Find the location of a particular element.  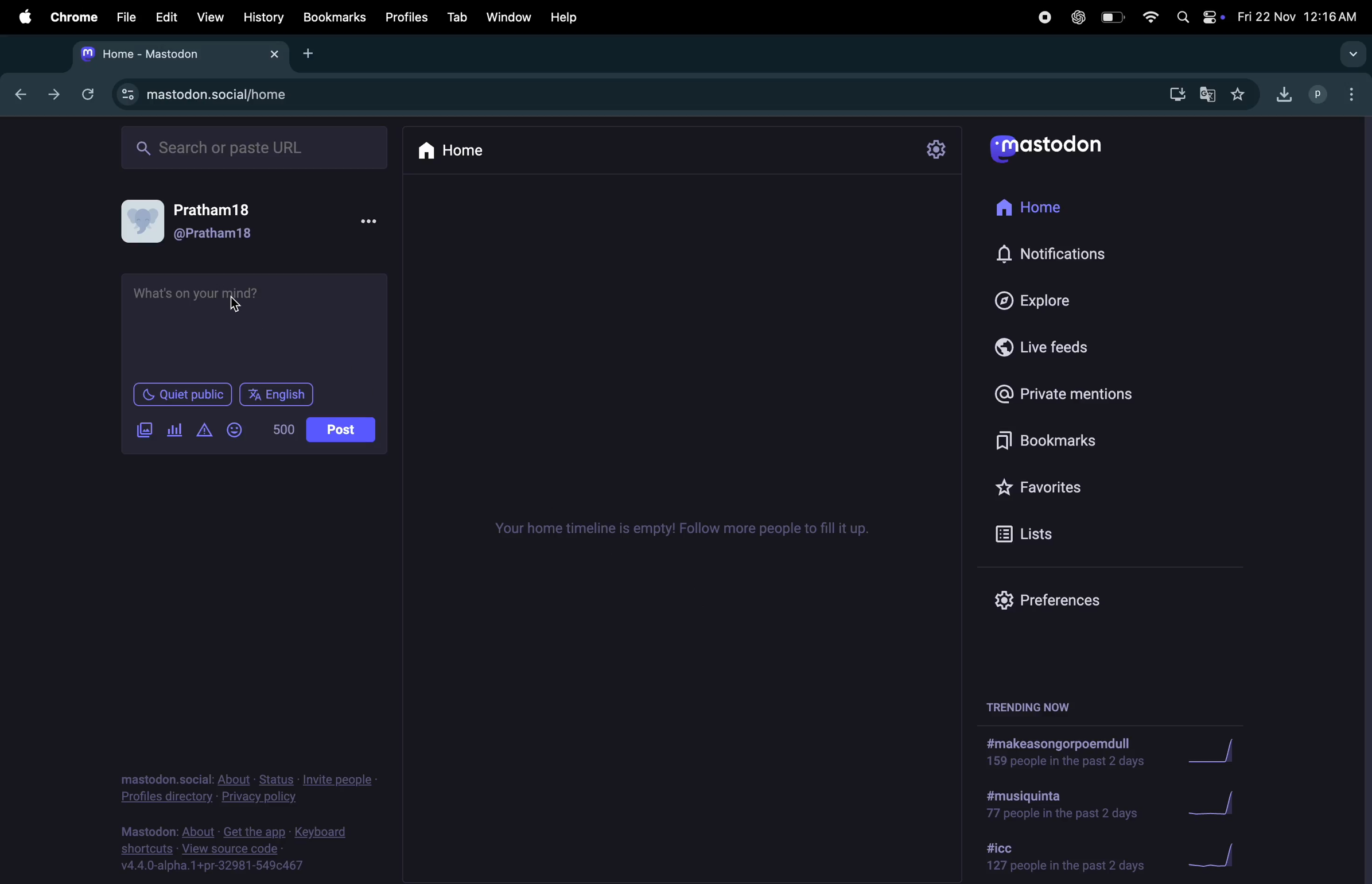

lists is located at coordinates (1045, 530).